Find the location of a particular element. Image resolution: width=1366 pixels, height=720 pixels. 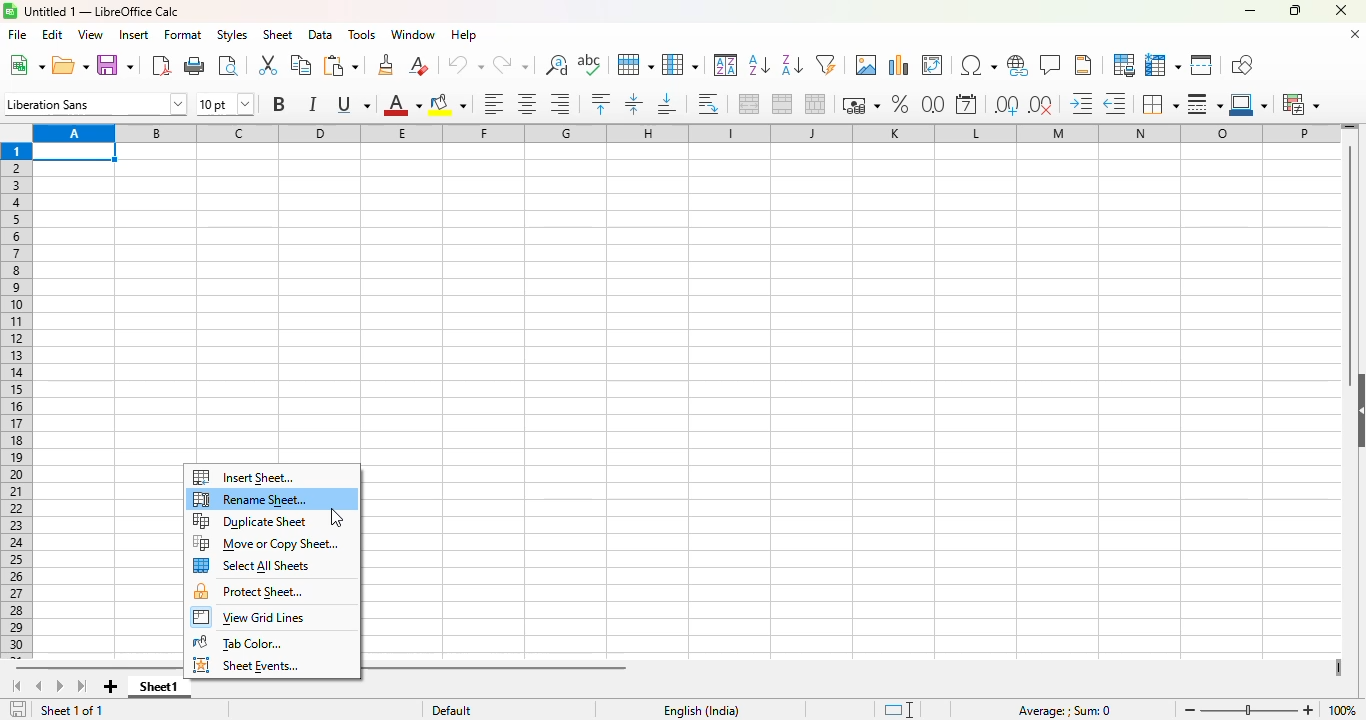

italic is located at coordinates (312, 104).